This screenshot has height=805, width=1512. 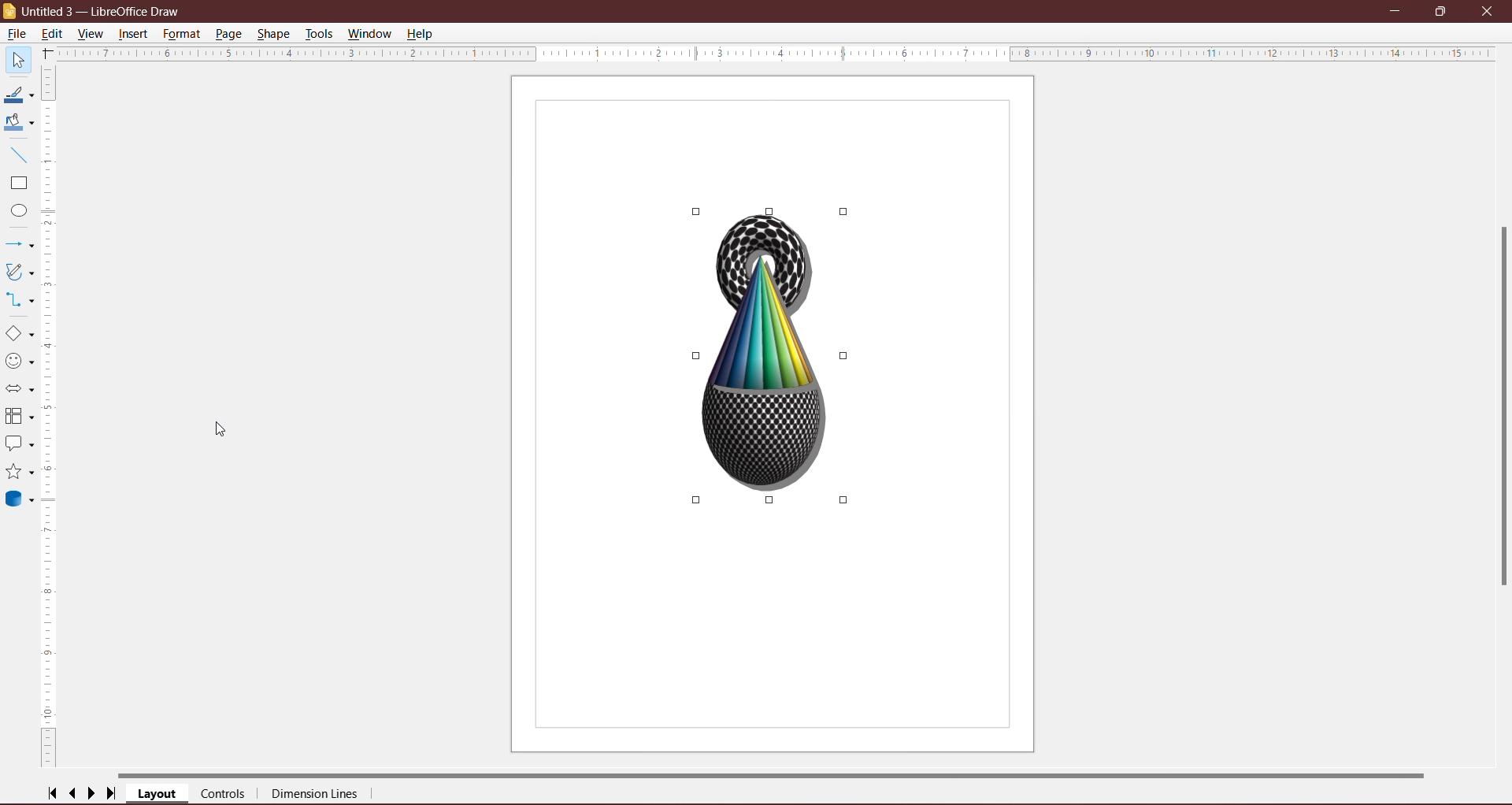 What do you see at coordinates (188, 50) in the screenshot?
I see `Cursor` at bounding box center [188, 50].